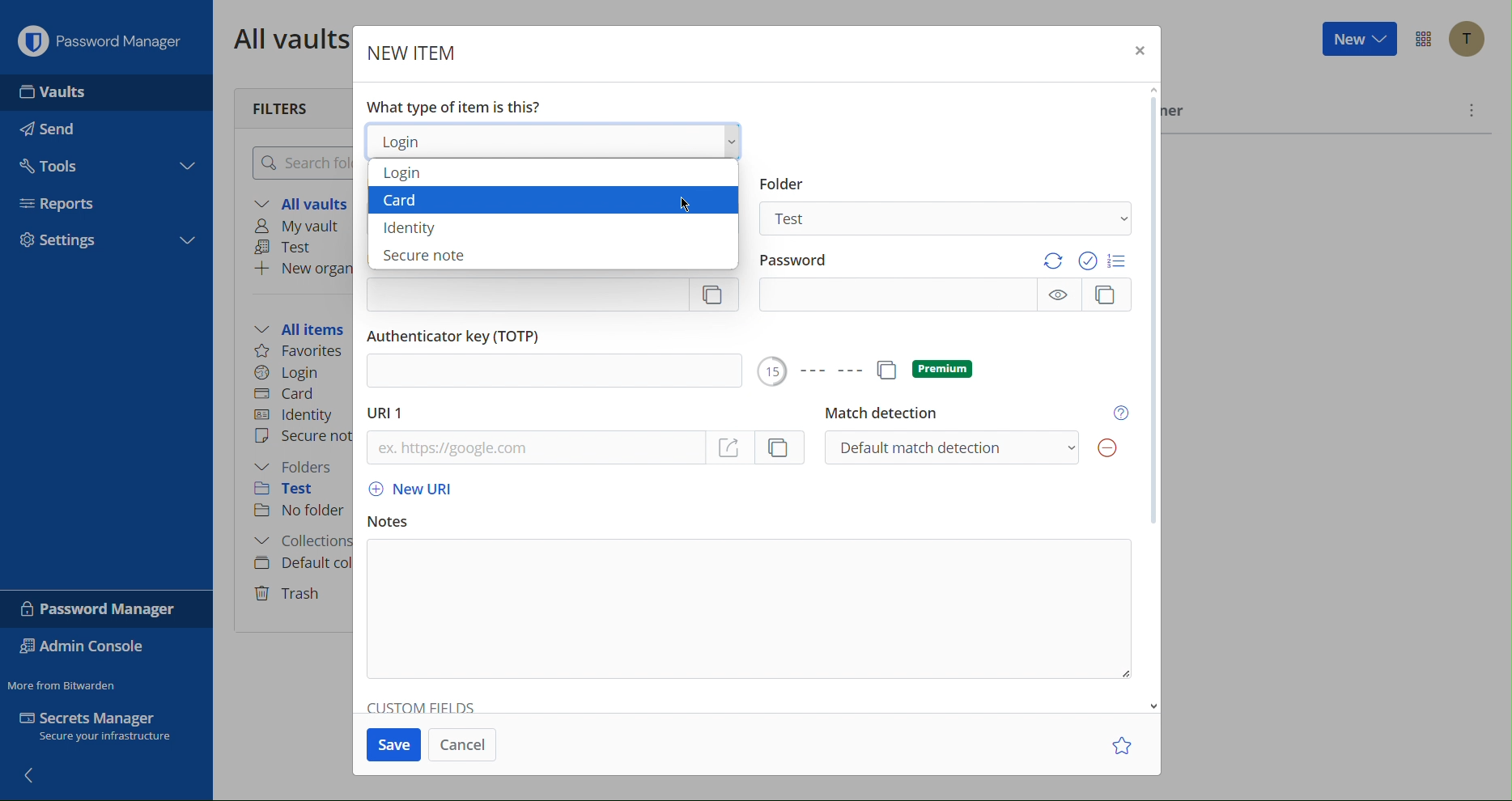 The image size is (1512, 801). Describe the element at coordinates (465, 103) in the screenshot. I see `What type of item is this?` at that location.